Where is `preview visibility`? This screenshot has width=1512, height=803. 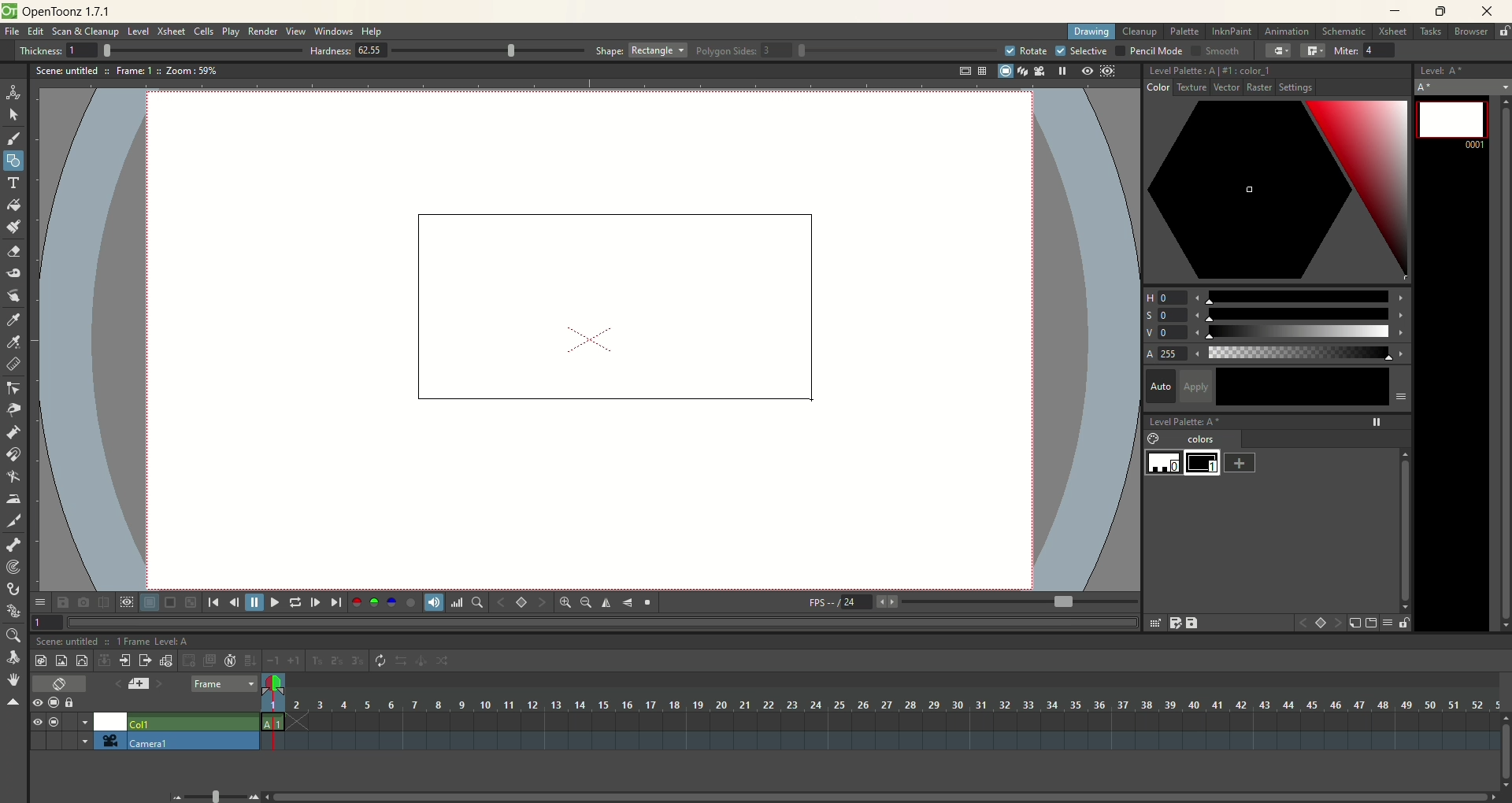
preview visibility is located at coordinates (37, 704).